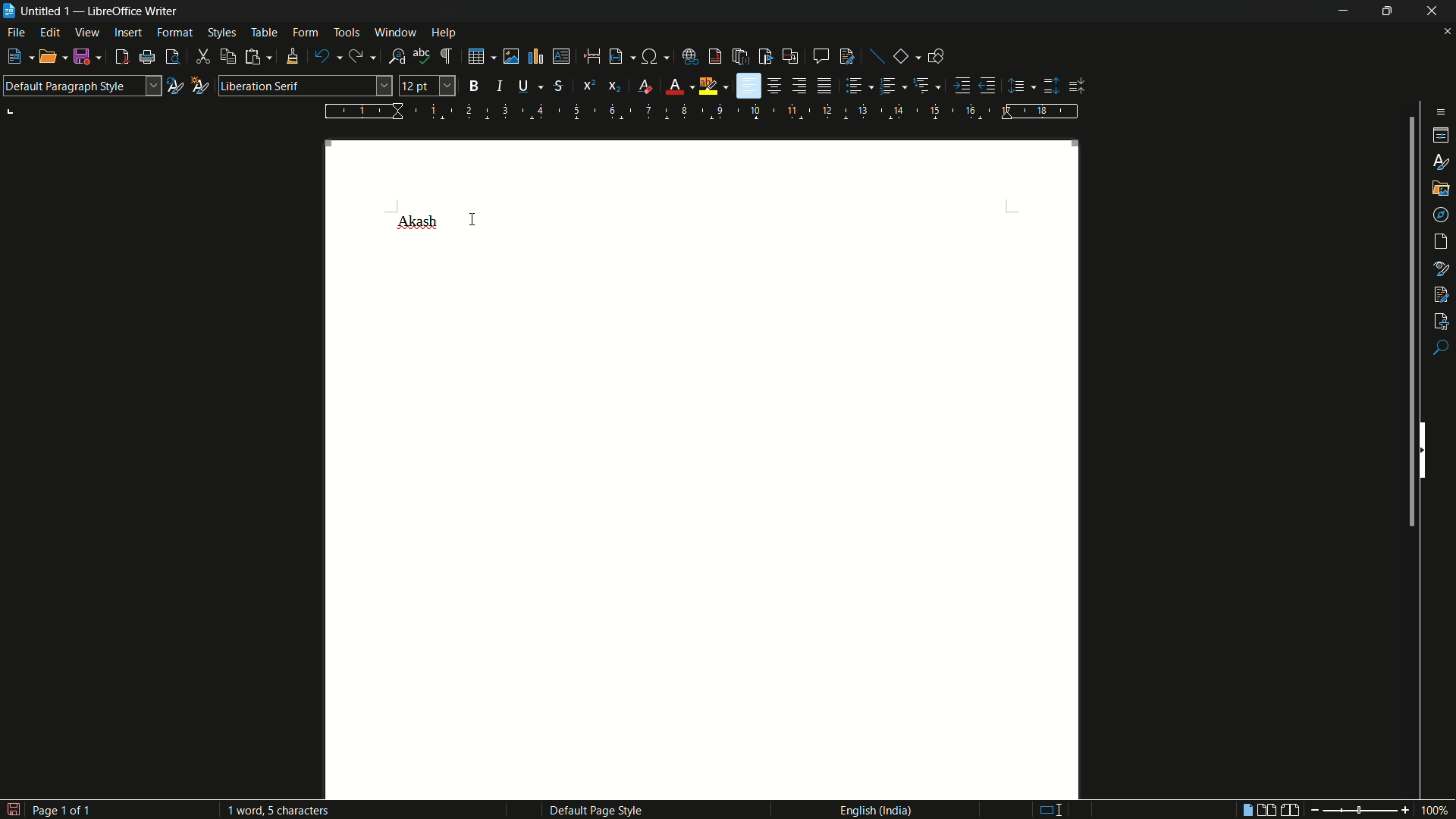 The height and width of the screenshot is (819, 1456). What do you see at coordinates (363, 56) in the screenshot?
I see `redo` at bounding box center [363, 56].